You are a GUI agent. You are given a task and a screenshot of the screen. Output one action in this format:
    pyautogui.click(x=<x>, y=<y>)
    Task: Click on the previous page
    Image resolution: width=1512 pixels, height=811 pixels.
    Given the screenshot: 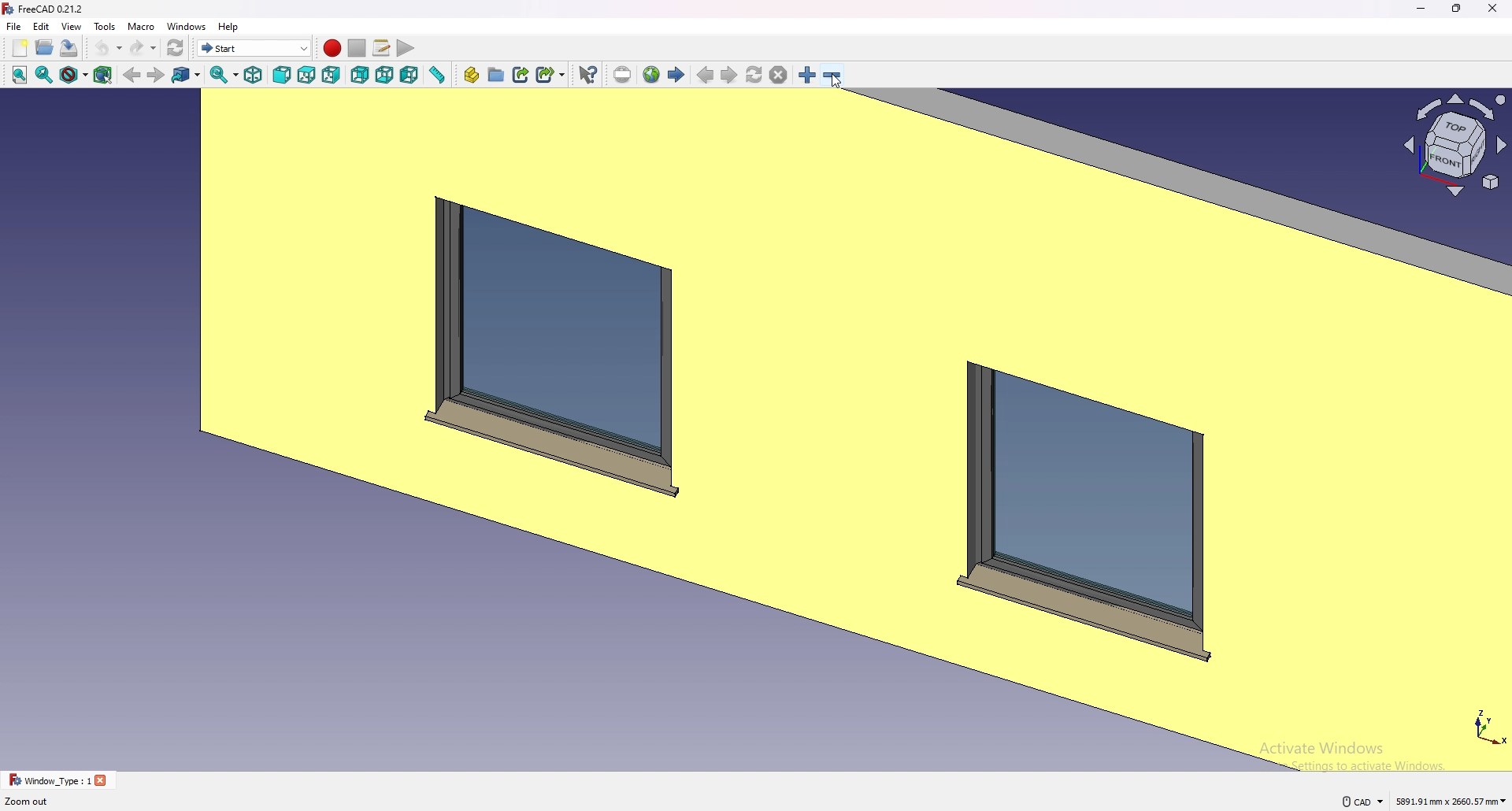 What is the action you would take?
    pyautogui.click(x=706, y=76)
    